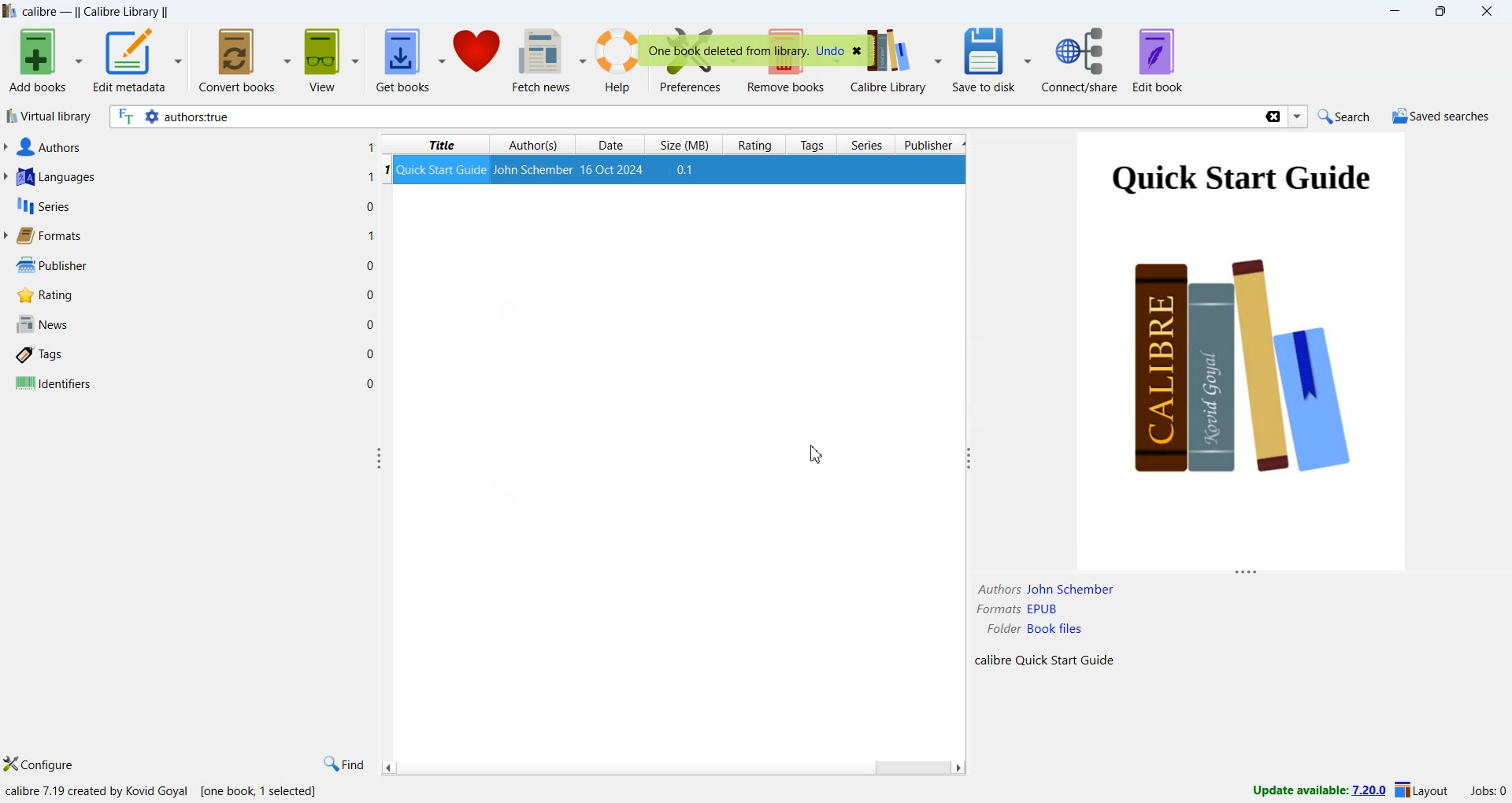 The height and width of the screenshot is (803, 1512). What do you see at coordinates (479, 55) in the screenshot?
I see `donate to support calibre` at bounding box center [479, 55].